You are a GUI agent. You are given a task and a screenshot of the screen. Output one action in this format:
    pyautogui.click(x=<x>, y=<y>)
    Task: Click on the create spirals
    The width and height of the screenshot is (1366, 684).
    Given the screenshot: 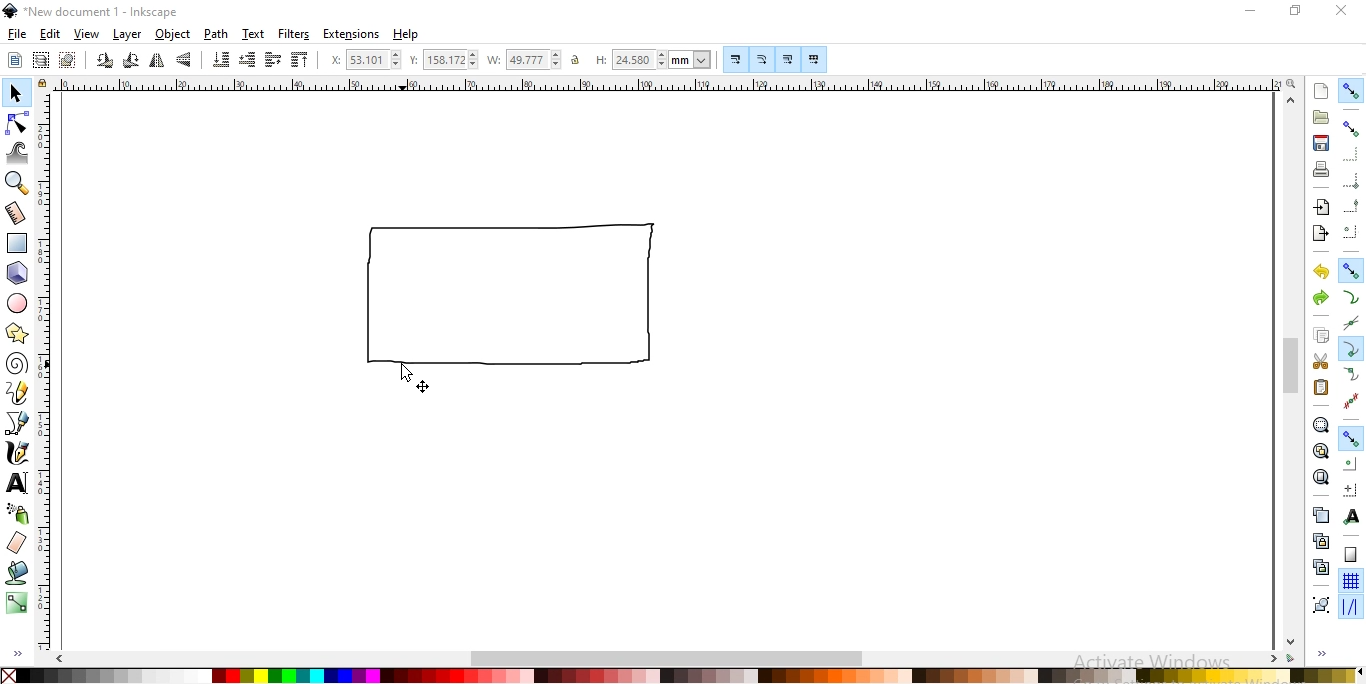 What is the action you would take?
    pyautogui.click(x=18, y=364)
    